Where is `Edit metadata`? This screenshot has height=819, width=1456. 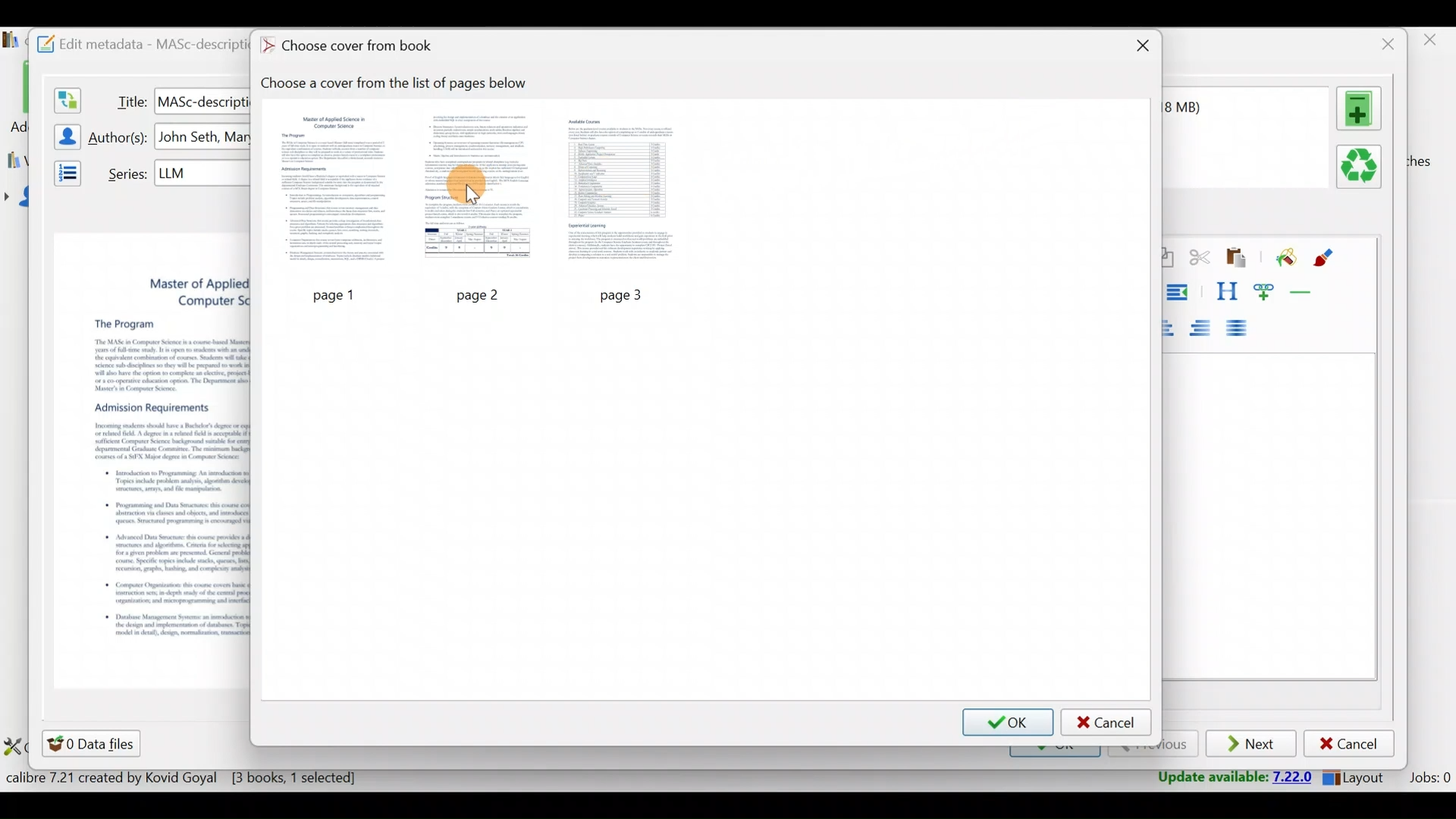
Edit metadata is located at coordinates (134, 42).